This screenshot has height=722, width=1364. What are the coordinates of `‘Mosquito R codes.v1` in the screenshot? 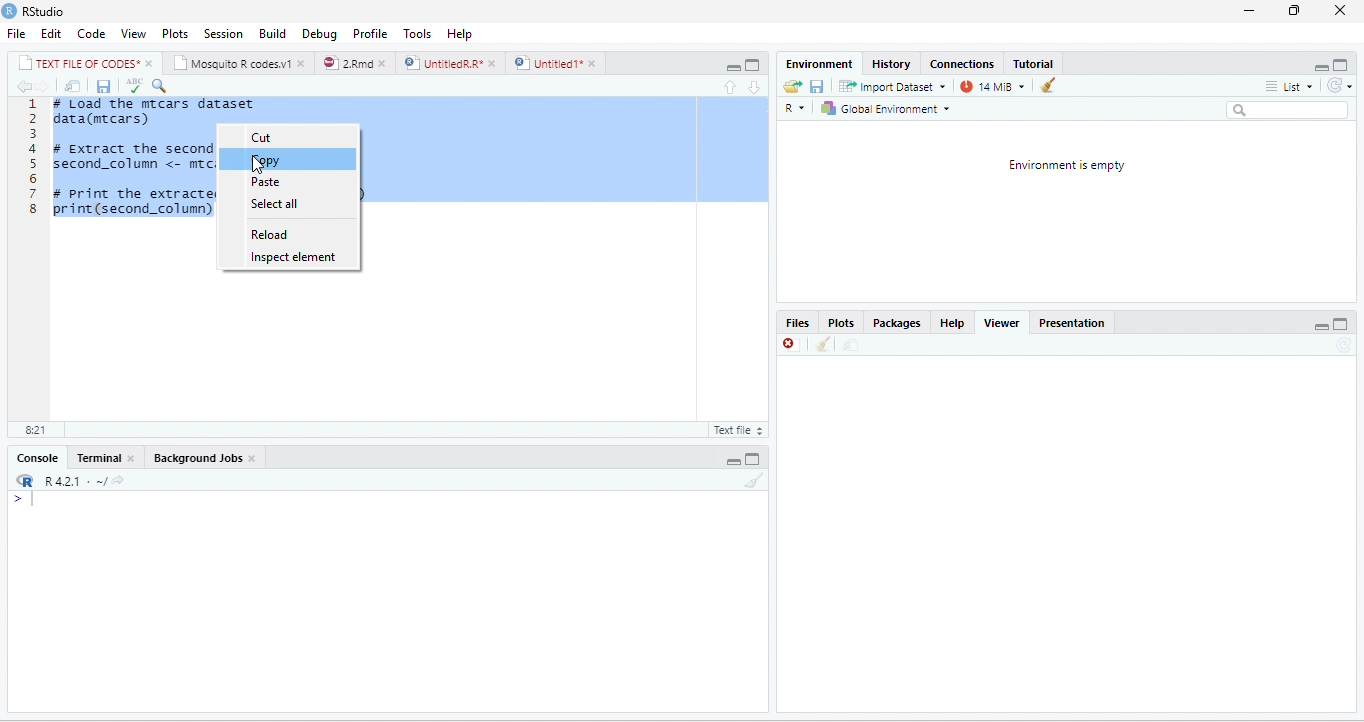 It's located at (232, 62).